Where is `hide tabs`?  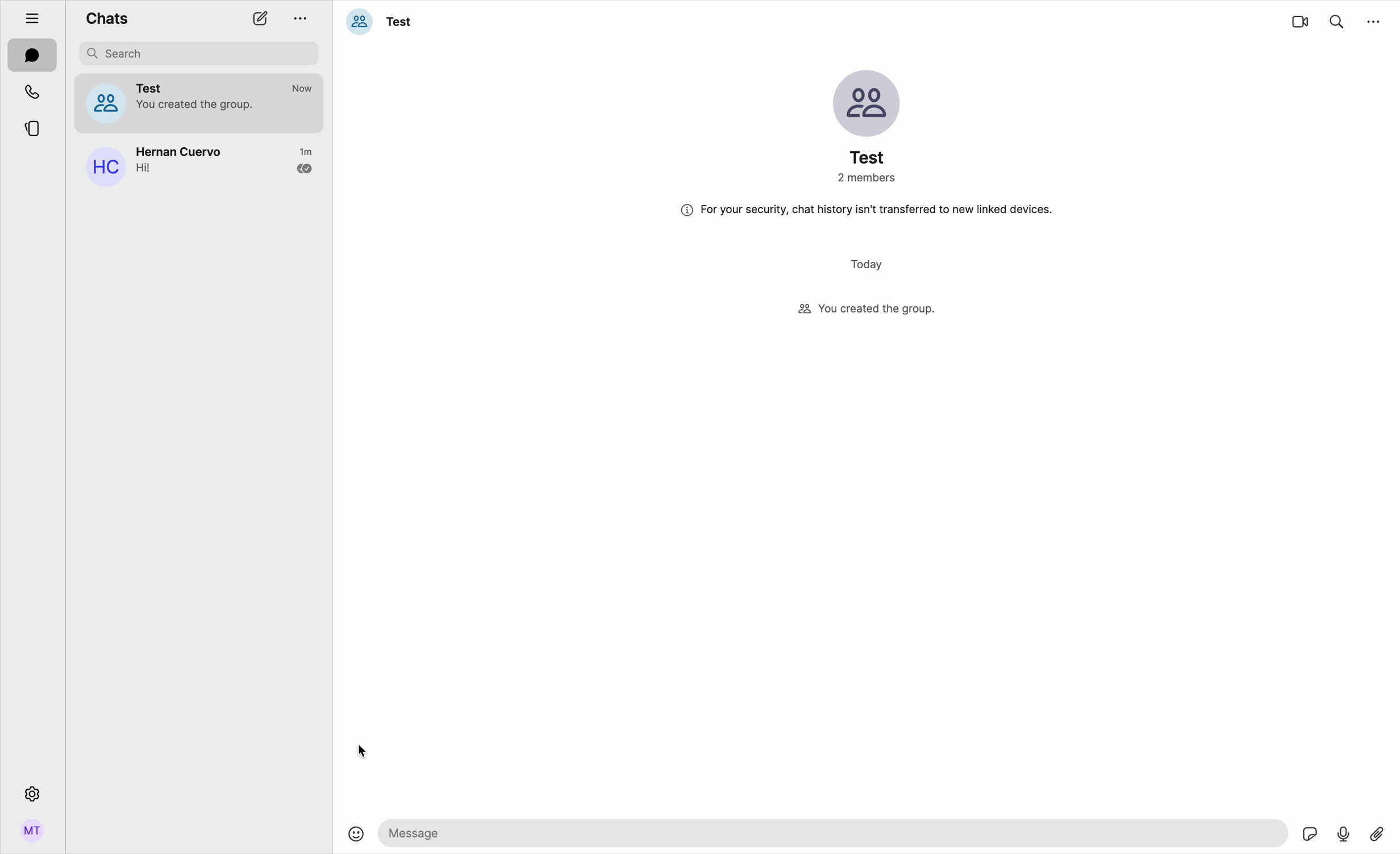
hide tabs is located at coordinates (26, 15).